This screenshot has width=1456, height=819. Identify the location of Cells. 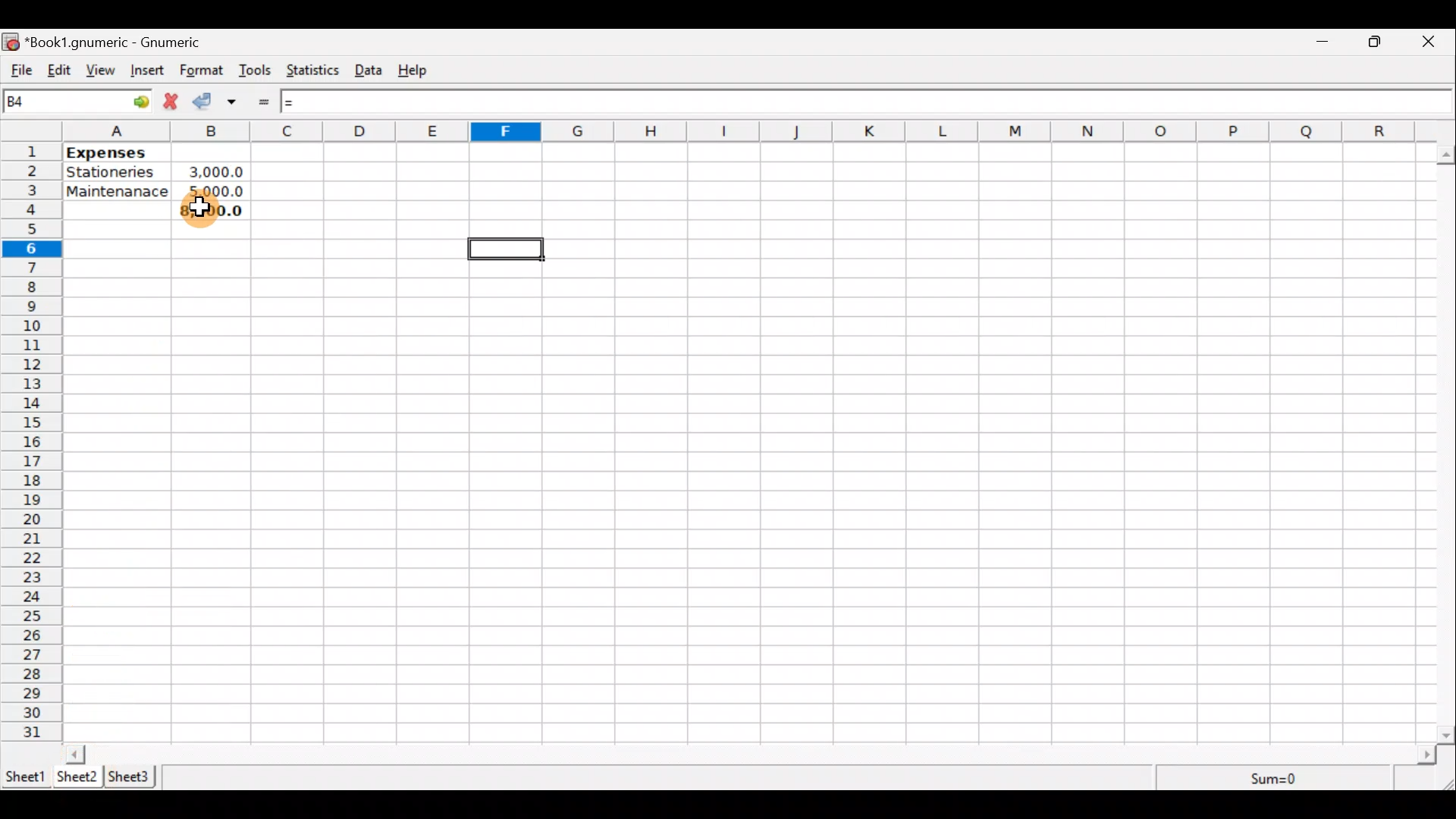
(990, 439).